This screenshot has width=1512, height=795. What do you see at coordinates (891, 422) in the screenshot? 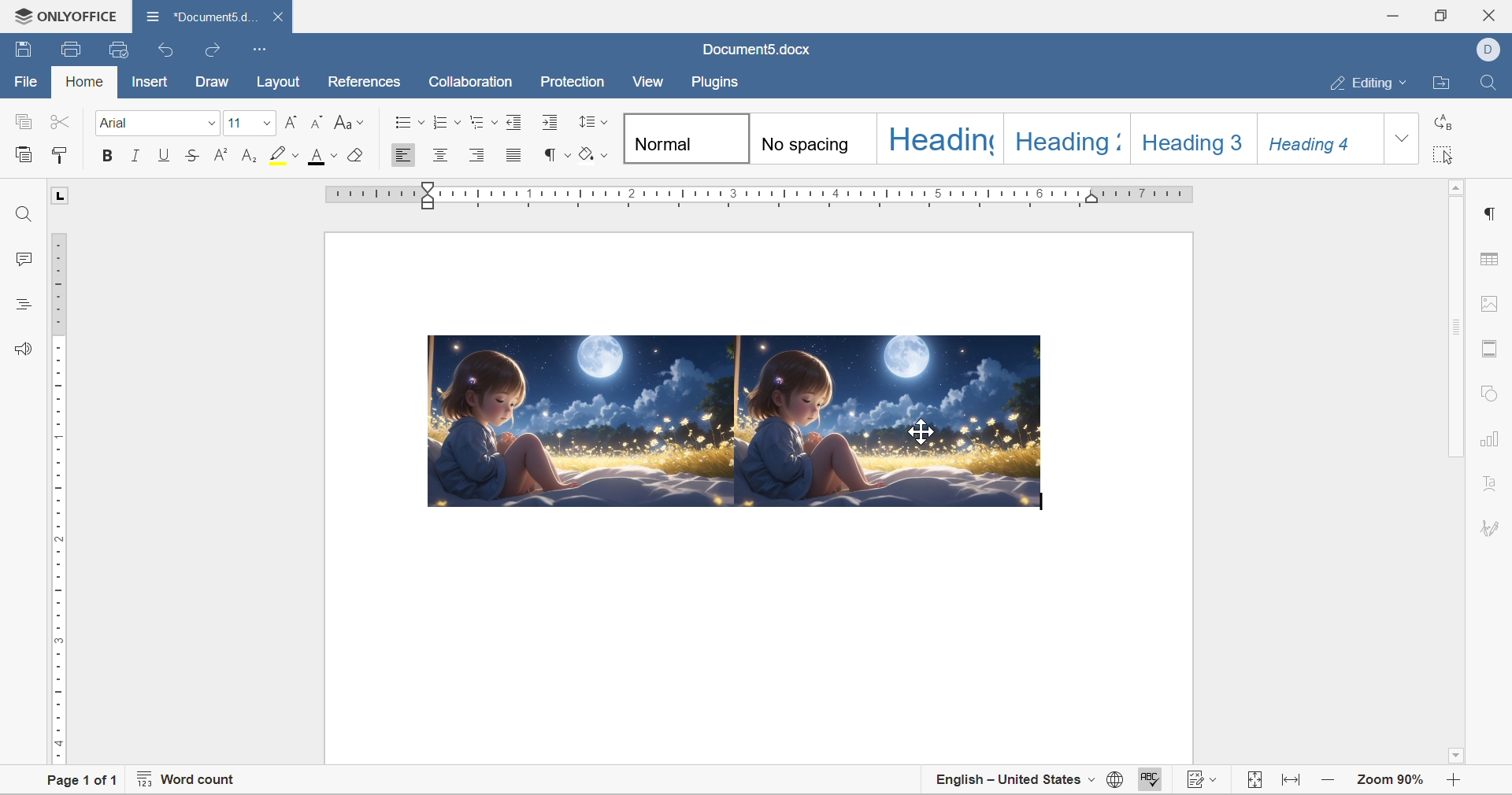
I see `image` at bounding box center [891, 422].